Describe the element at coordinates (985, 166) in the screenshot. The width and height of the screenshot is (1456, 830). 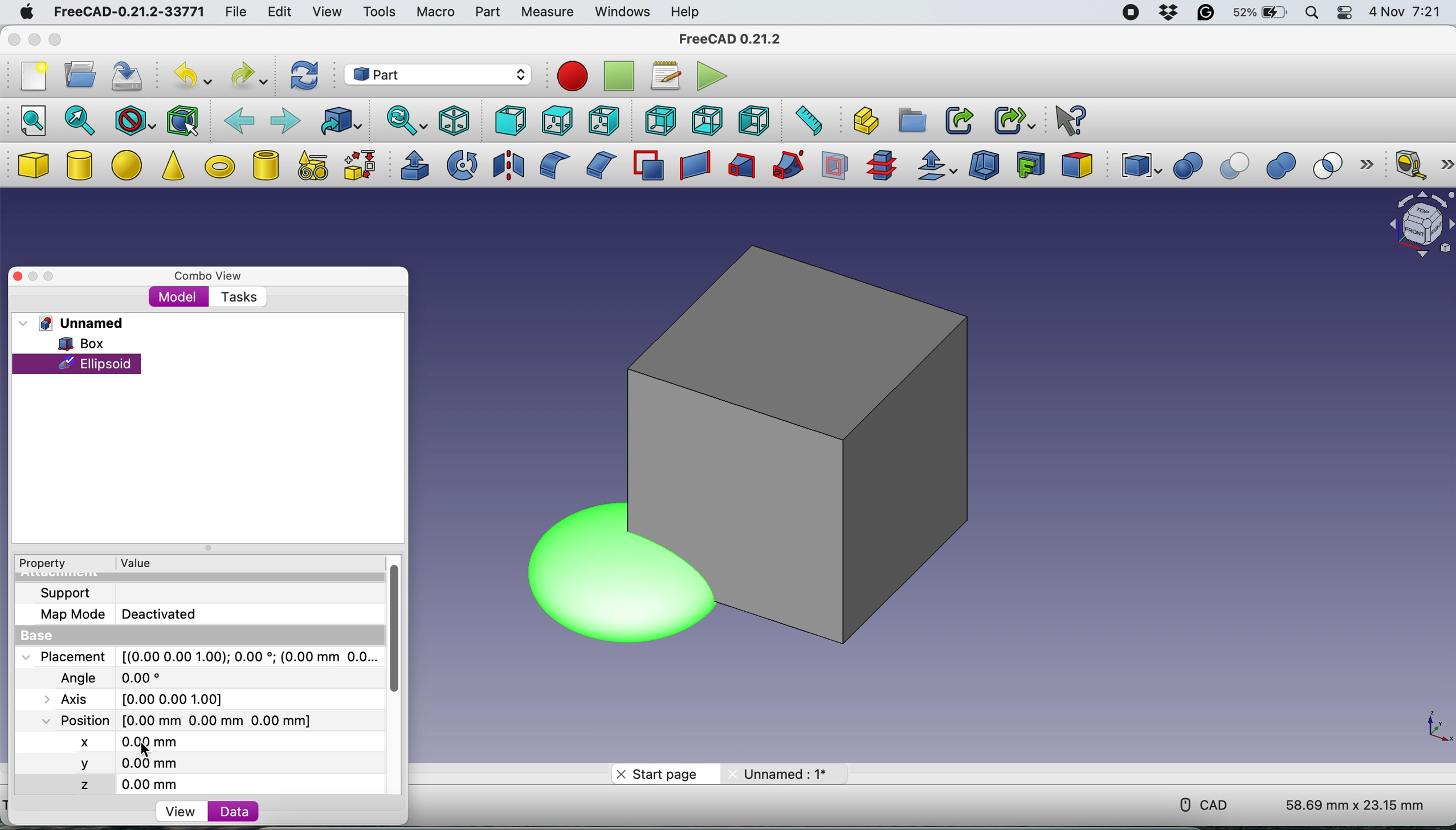
I see `thickness` at that location.